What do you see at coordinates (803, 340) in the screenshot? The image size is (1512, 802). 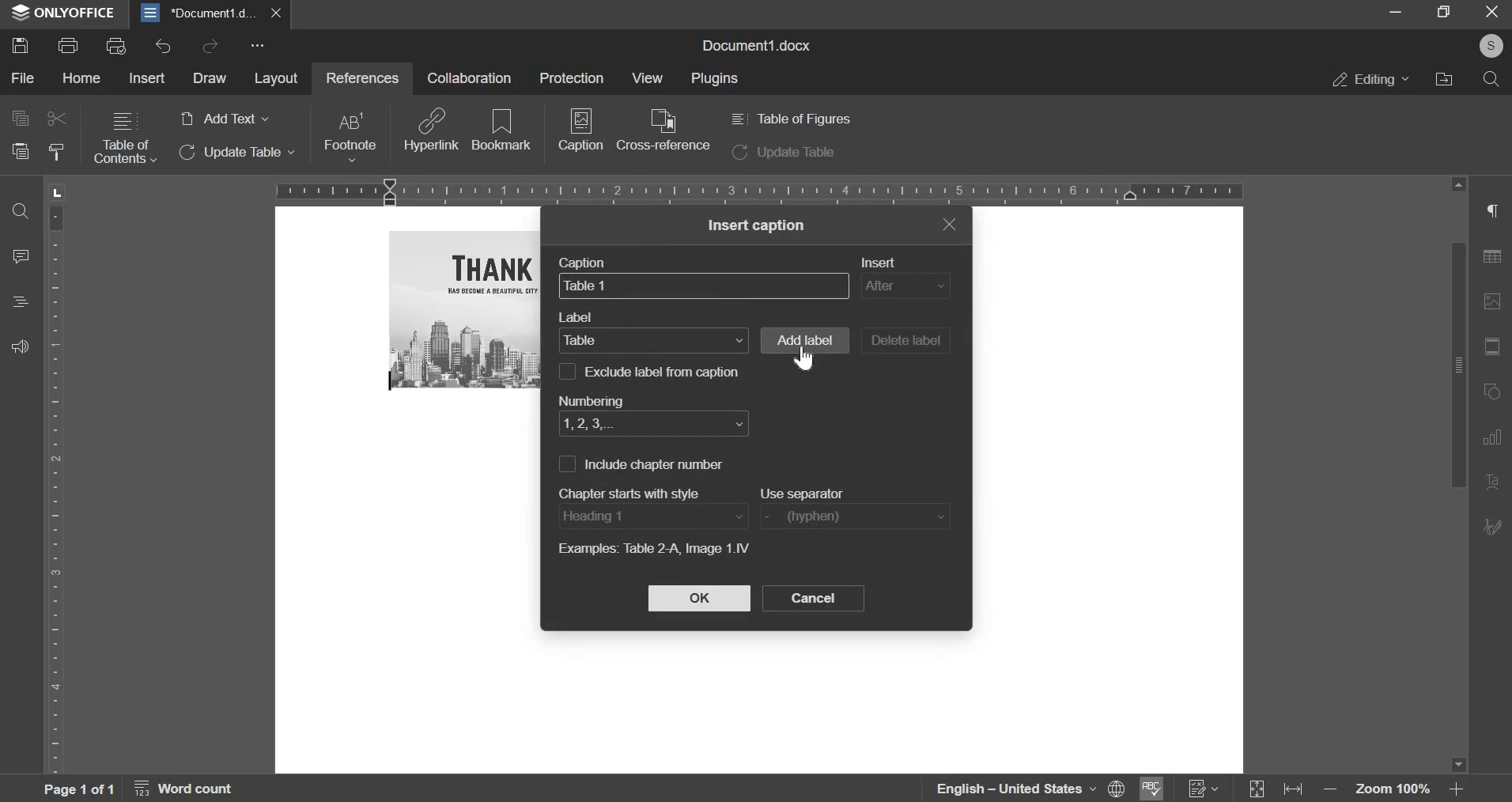 I see `add label` at bounding box center [803, 340].